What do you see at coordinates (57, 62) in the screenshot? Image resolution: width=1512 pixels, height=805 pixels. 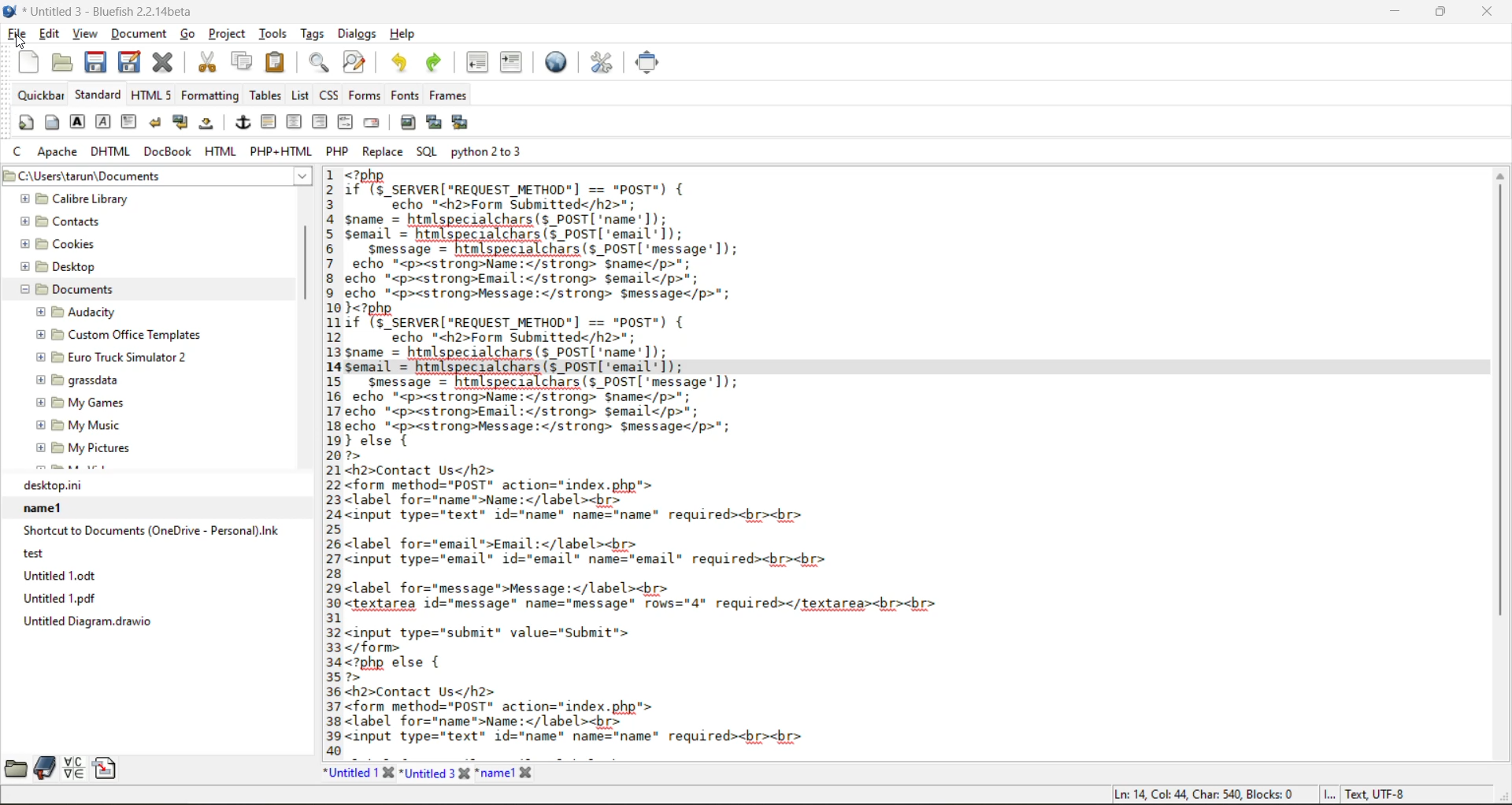 I see `open` at bounding box center [57, 62].